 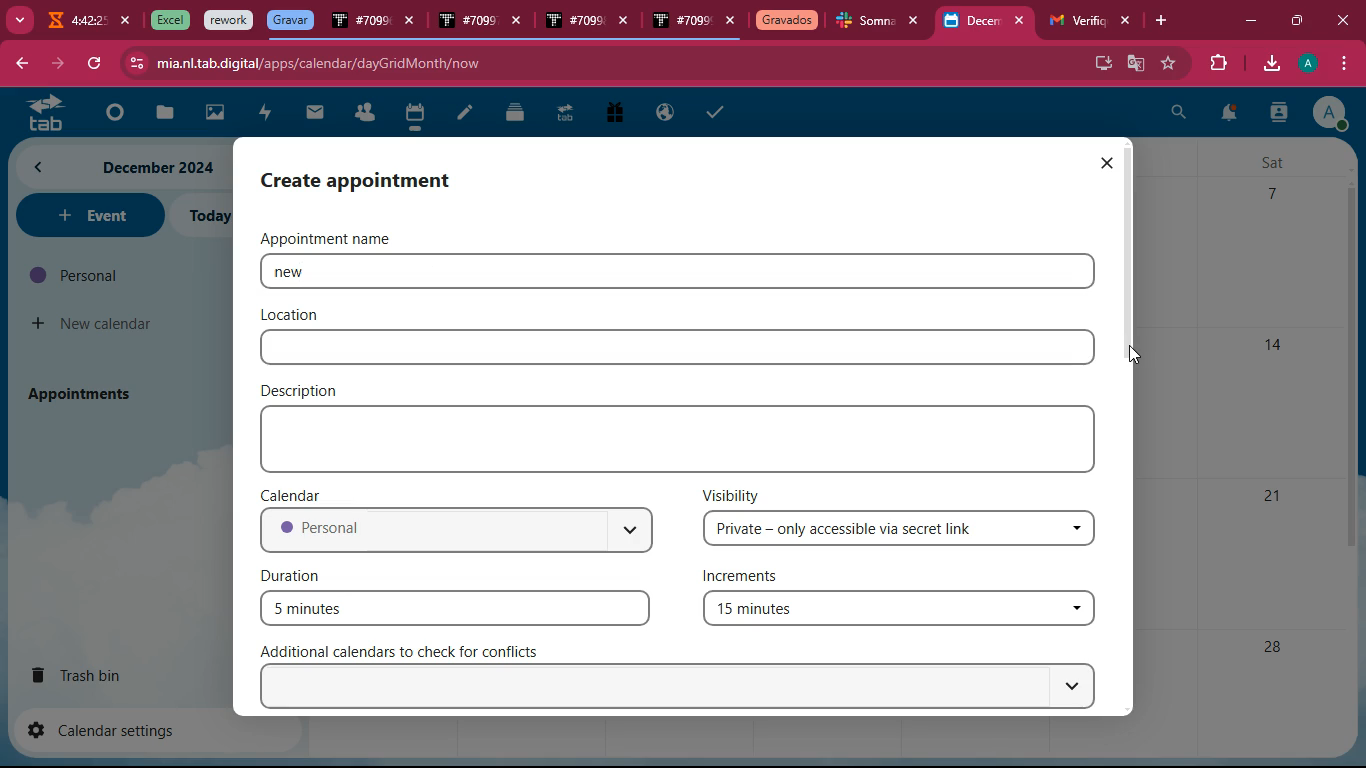 What do you see at coordinates (377, 179) in the screenshot?
I see `create appointment` at bounding box center [377, 179].